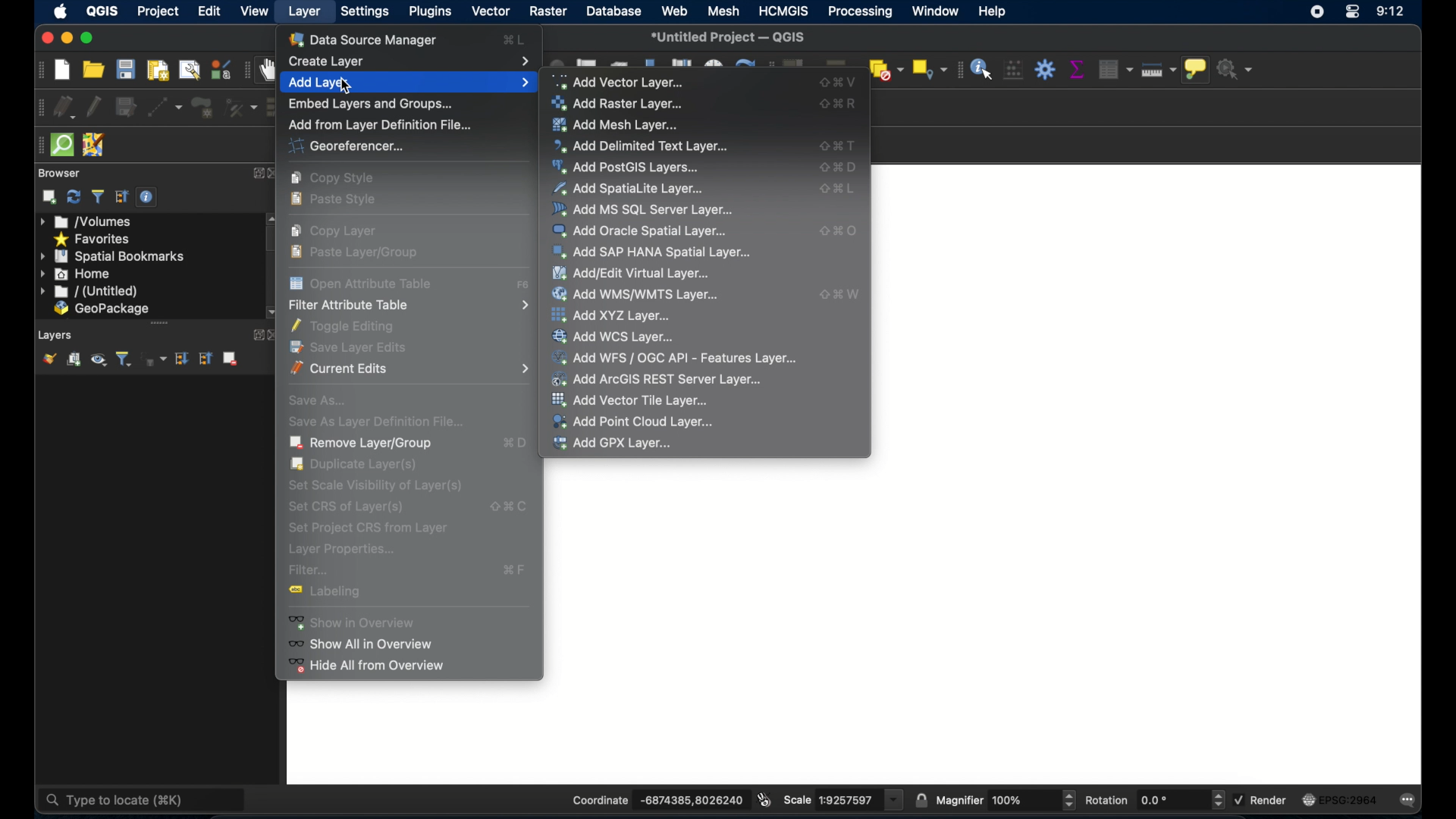  I want to click on show layer styling panel, so click(49, 359).